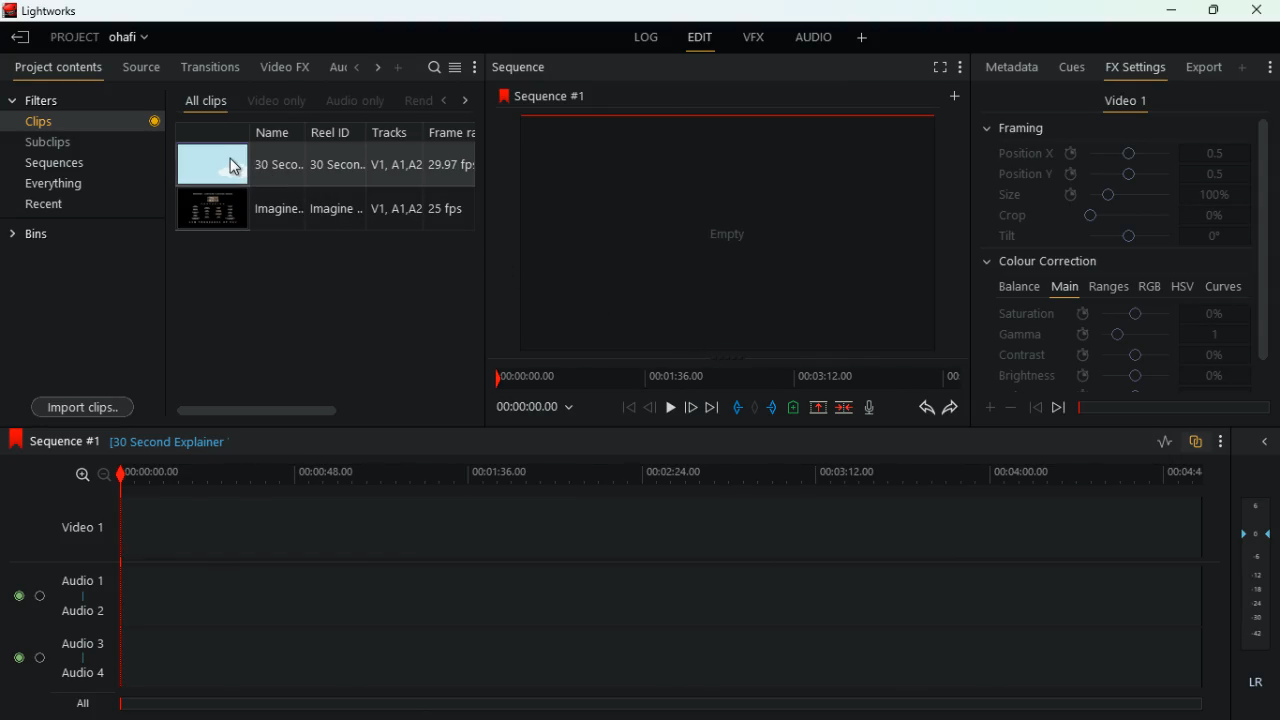 Image resolution: width=1280 pixels, height=720 pixels. What do you see at coordinates (1226, 285) in the screenshot?
I see `curves` at bounding box center [1226, 285].